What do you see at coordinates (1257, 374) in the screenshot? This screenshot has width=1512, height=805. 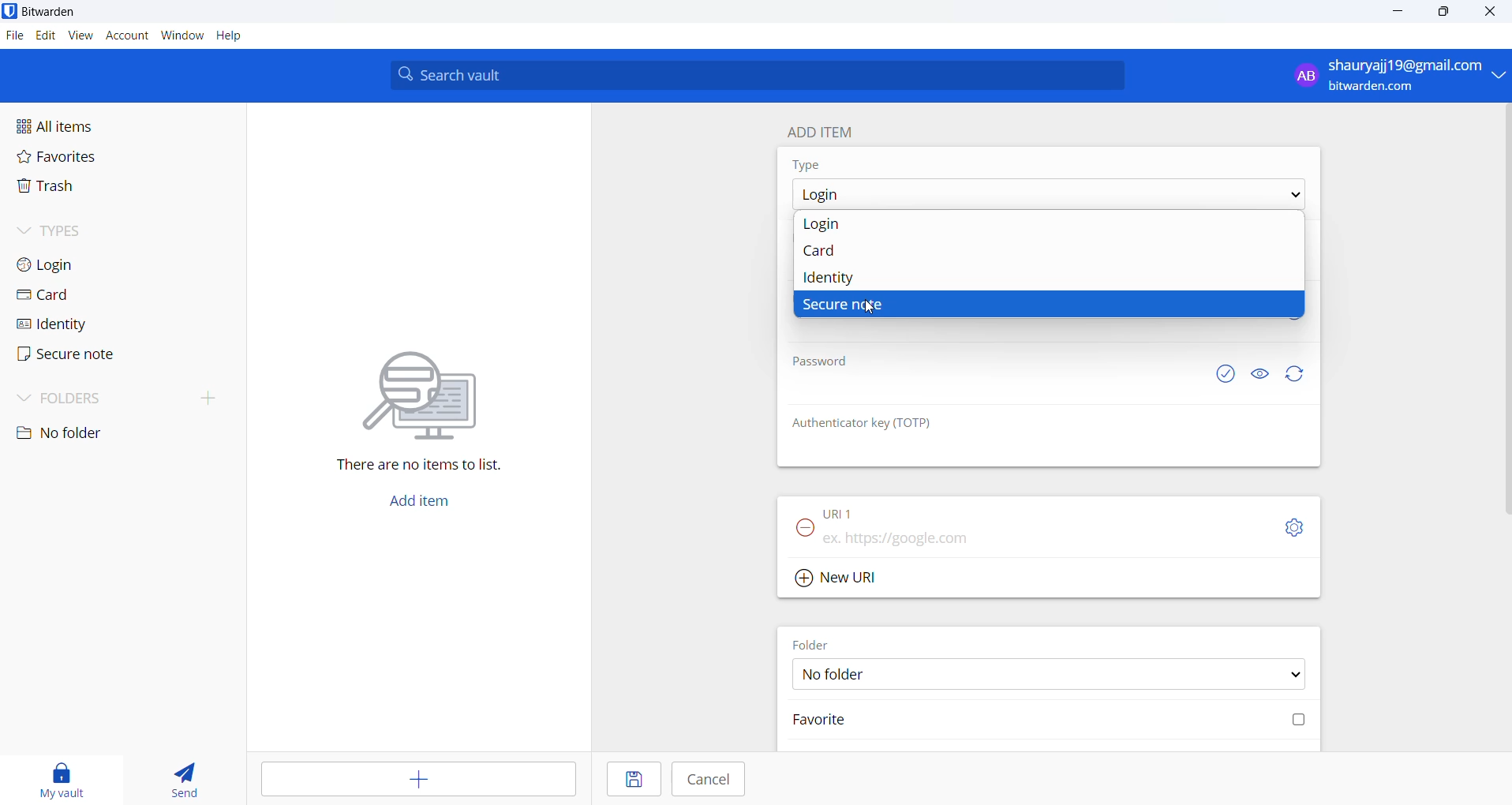 I see `hide` at bounding box center [1257, 374].